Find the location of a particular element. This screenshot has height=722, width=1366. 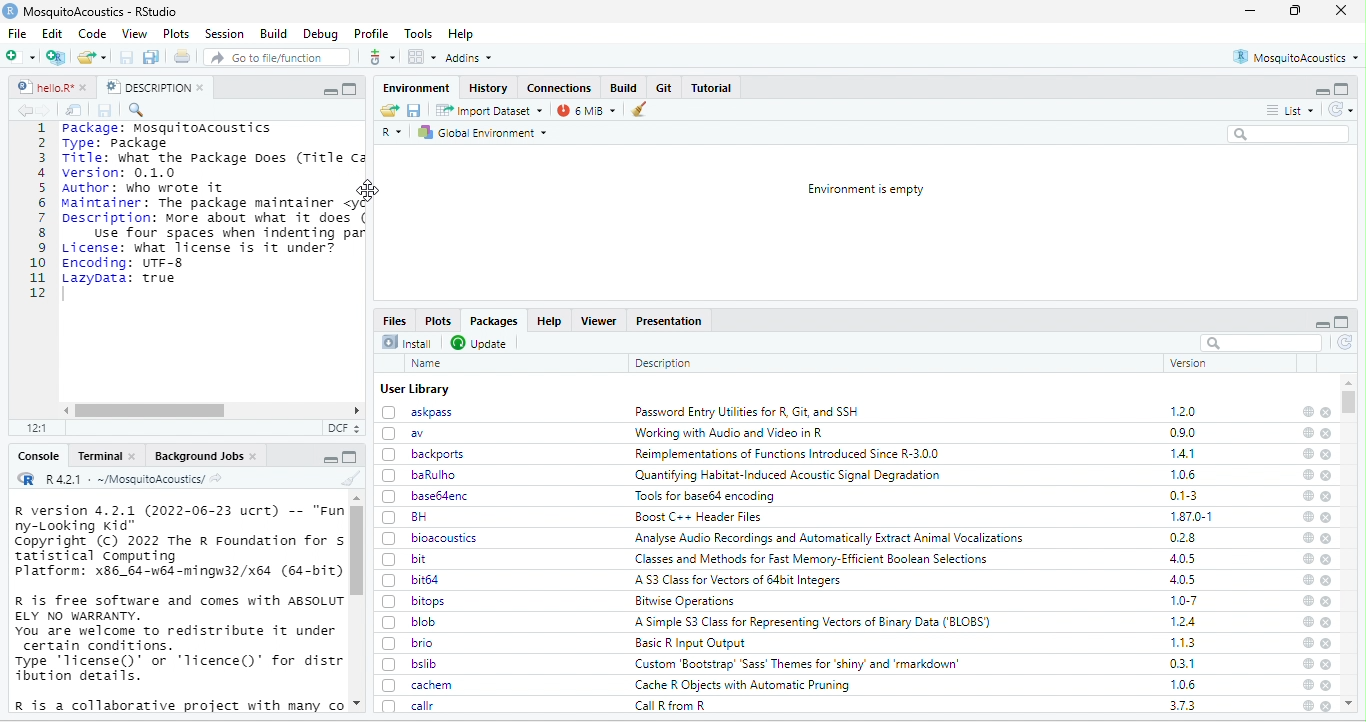

User Library is located at coordinates (416, 389).